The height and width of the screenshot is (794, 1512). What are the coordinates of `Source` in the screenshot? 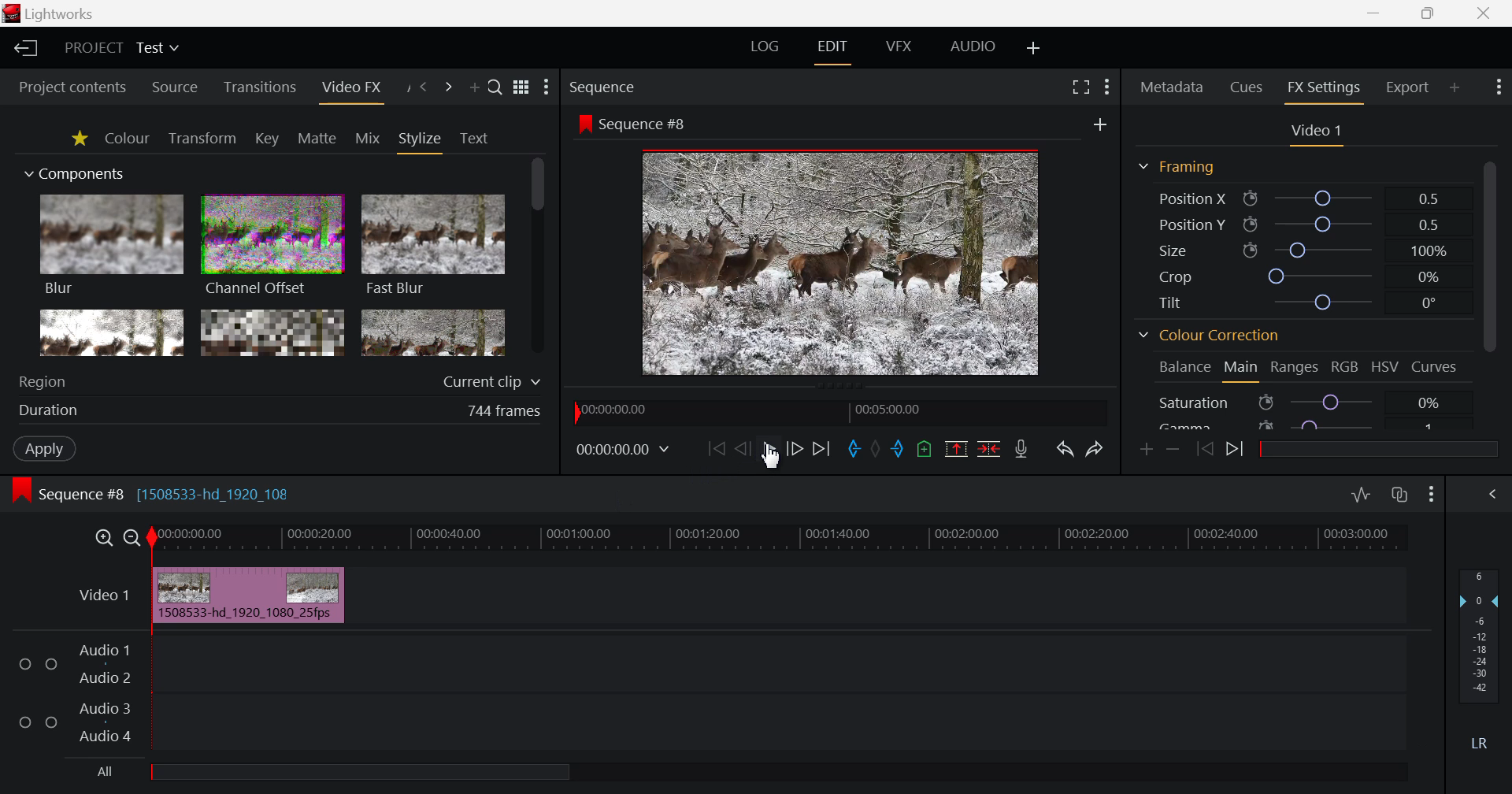 It's located at (176, 87).